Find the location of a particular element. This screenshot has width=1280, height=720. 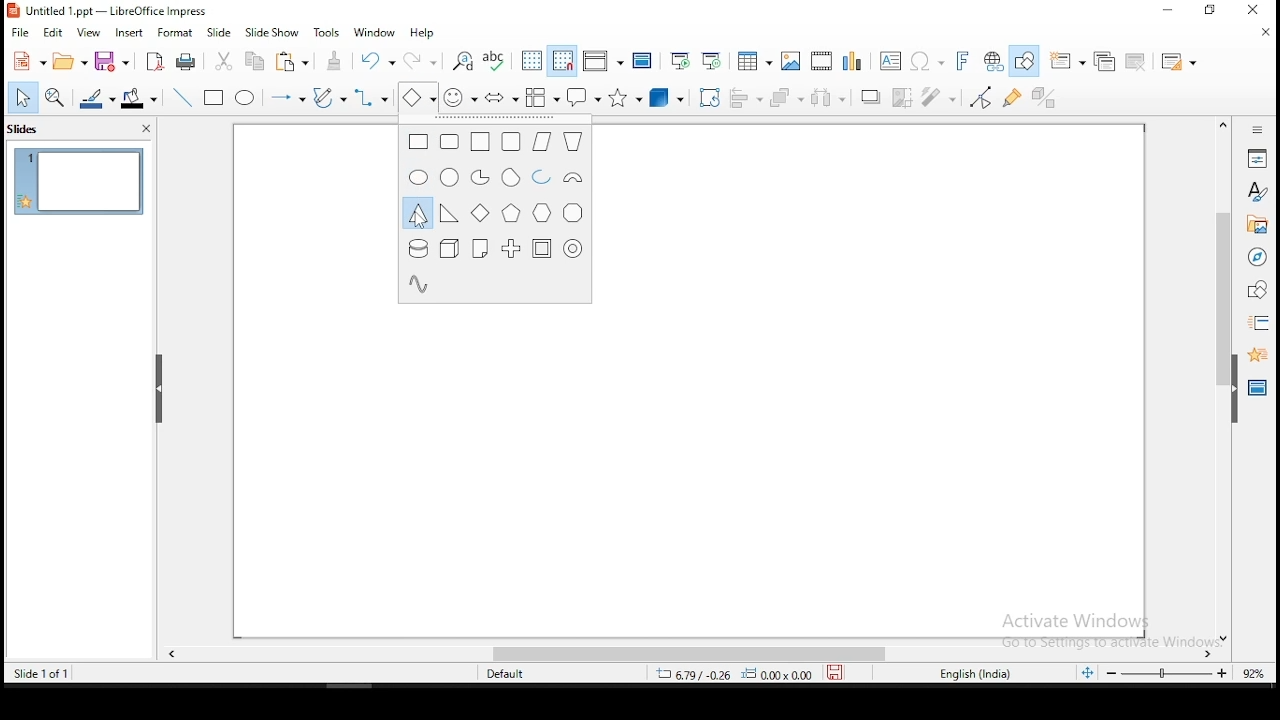

slide 1 of 1 is located at coordinates (40, 671).